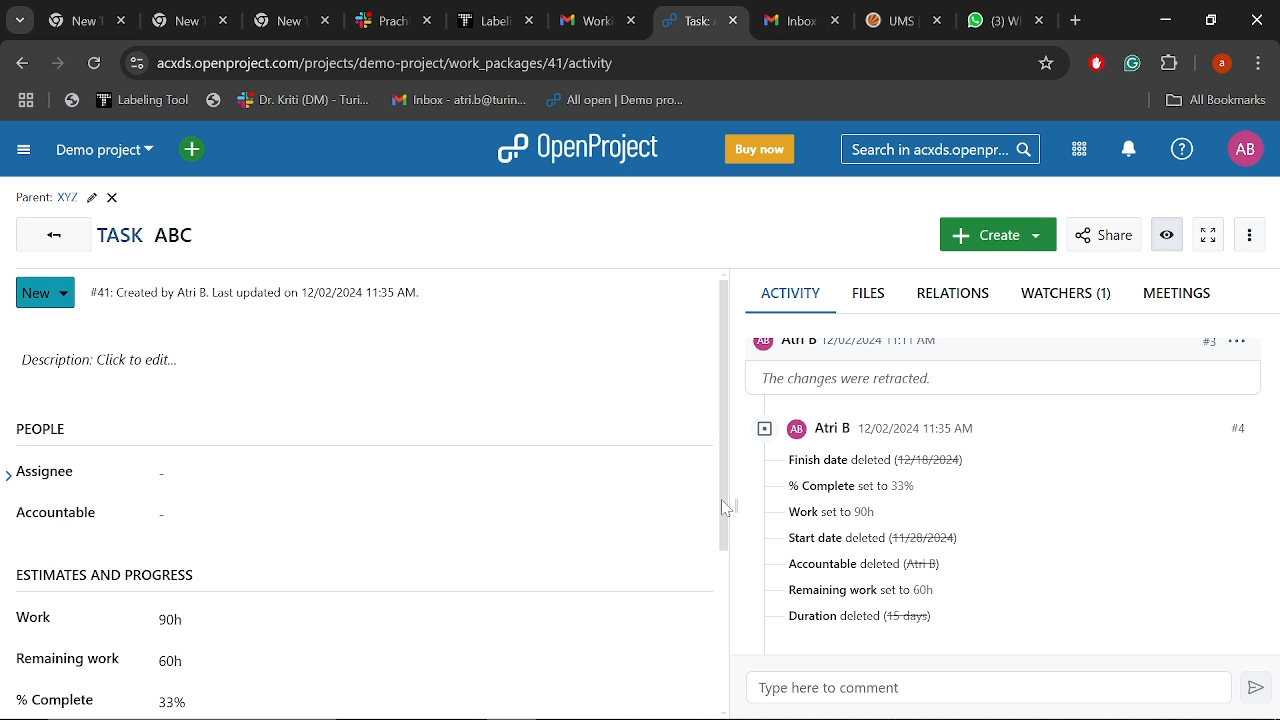 The height and width of the screenshot is (720, 1280). Describe the element at coordinates (1179, 149) in the screenshot. I see `Help` at that location.